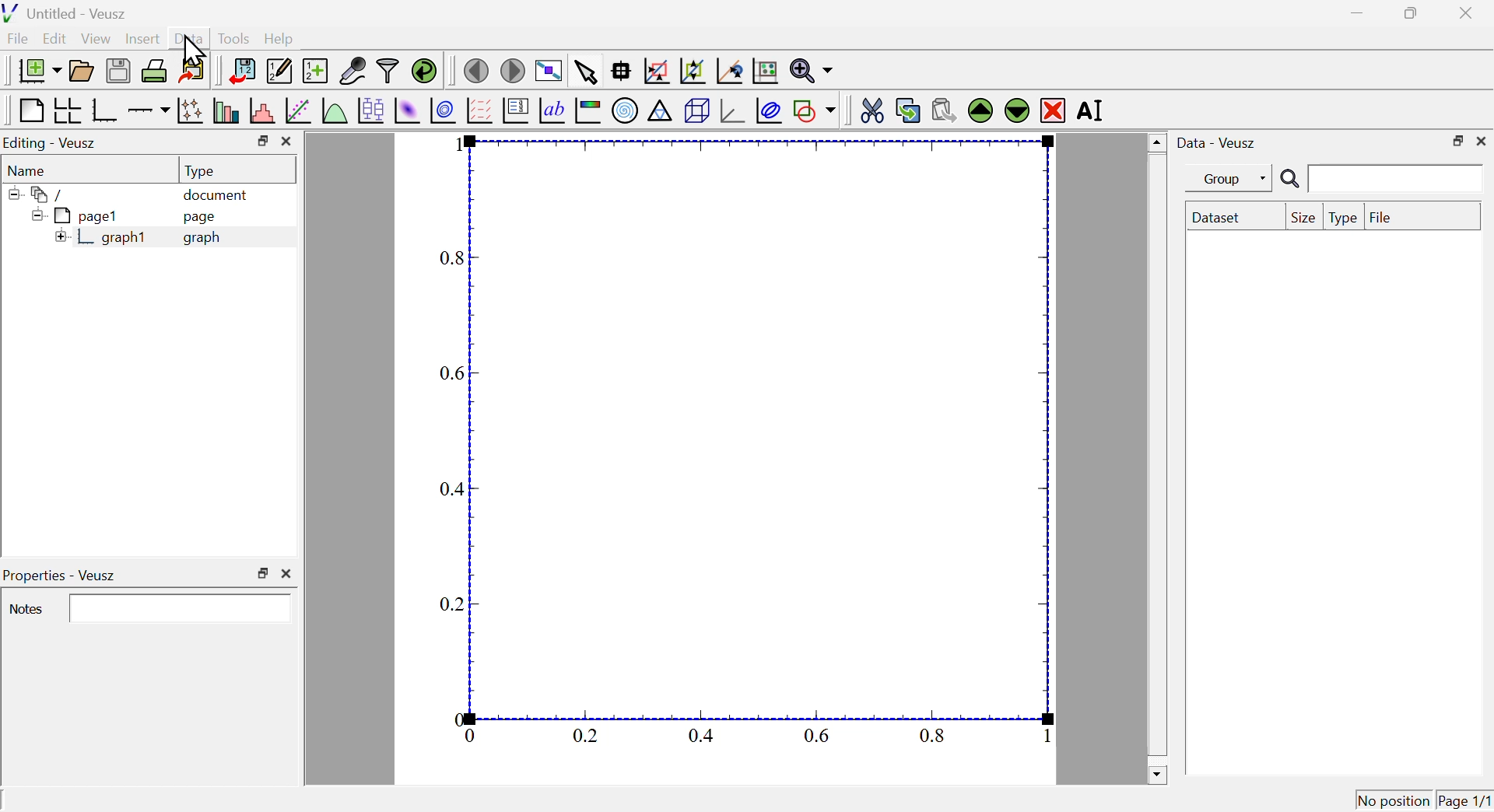 The image size is (1494, 812). I want to click on cursor, so click(192, 51).